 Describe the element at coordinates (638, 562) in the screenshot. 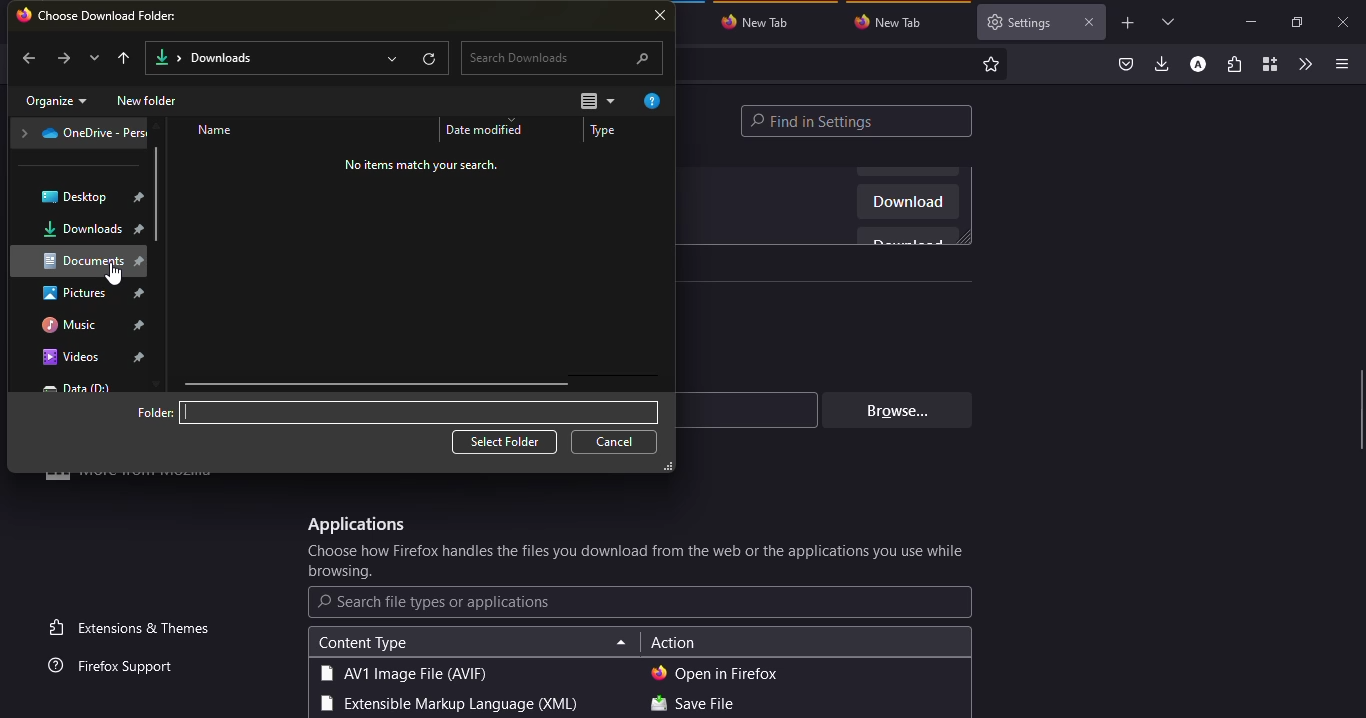

I see `choose` at that location.